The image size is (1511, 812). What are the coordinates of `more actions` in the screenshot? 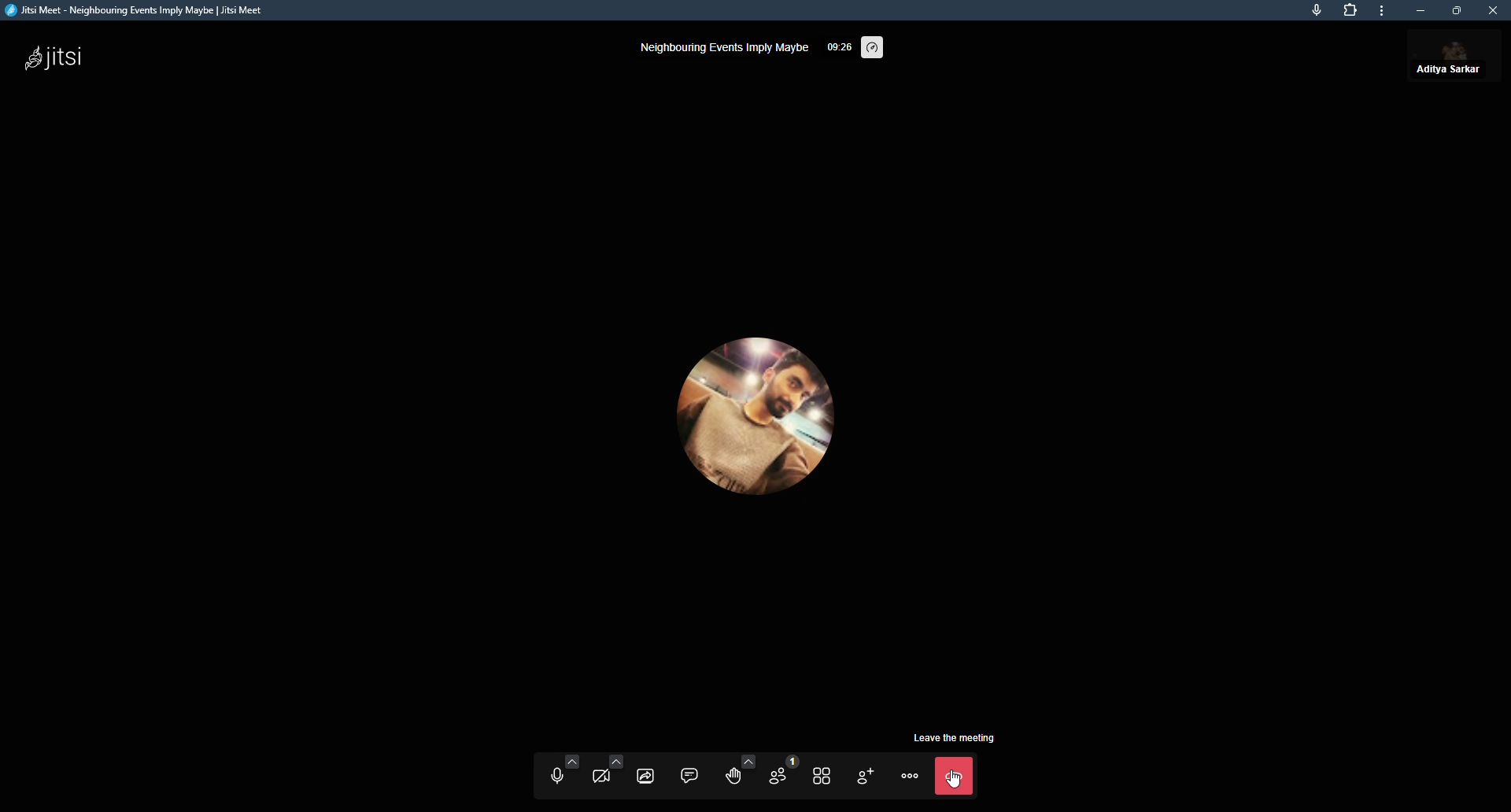 It's located at (909, 776).